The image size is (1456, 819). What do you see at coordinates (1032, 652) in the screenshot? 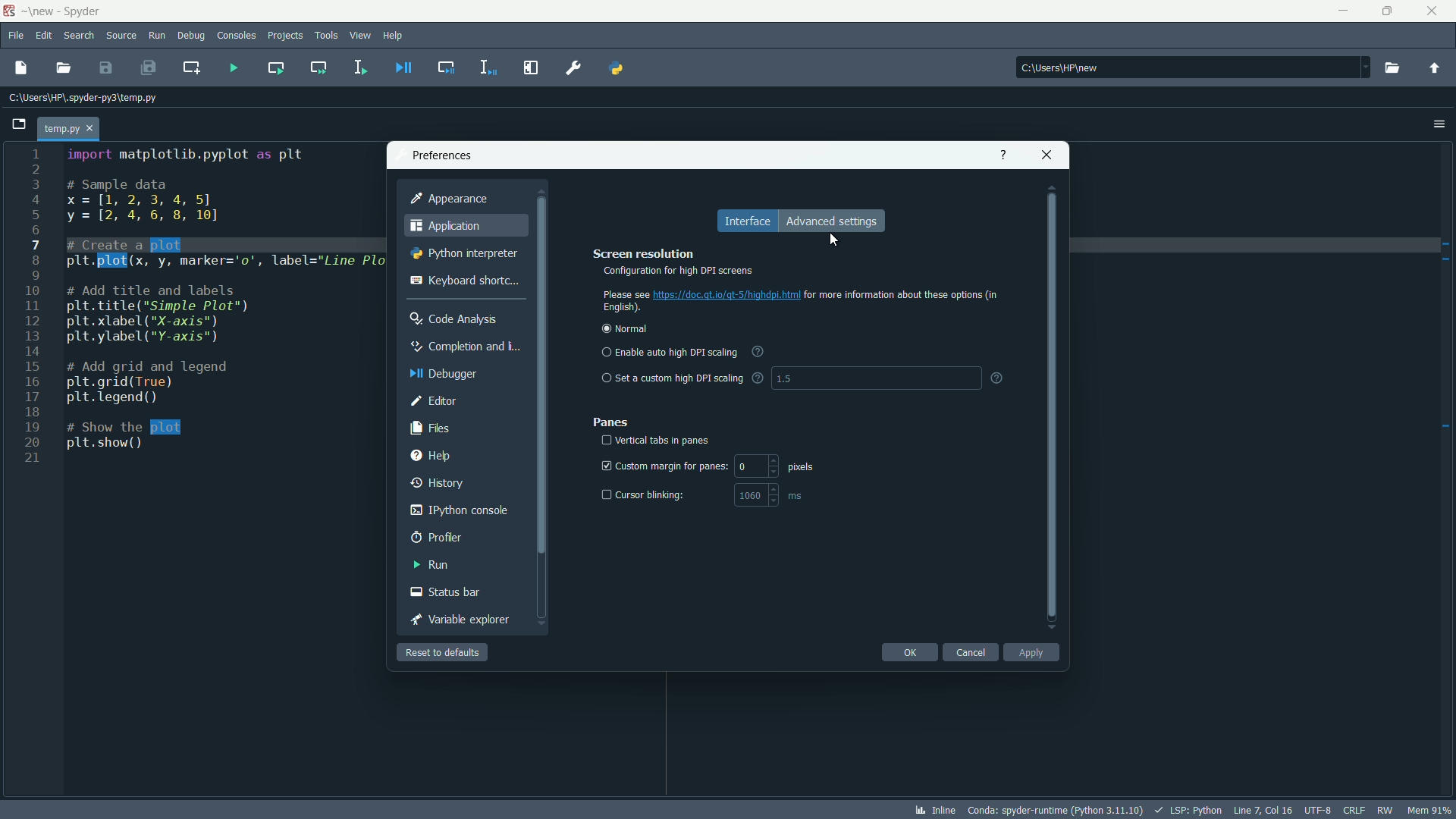
I see `apply` at bounding box center [1032, 652].